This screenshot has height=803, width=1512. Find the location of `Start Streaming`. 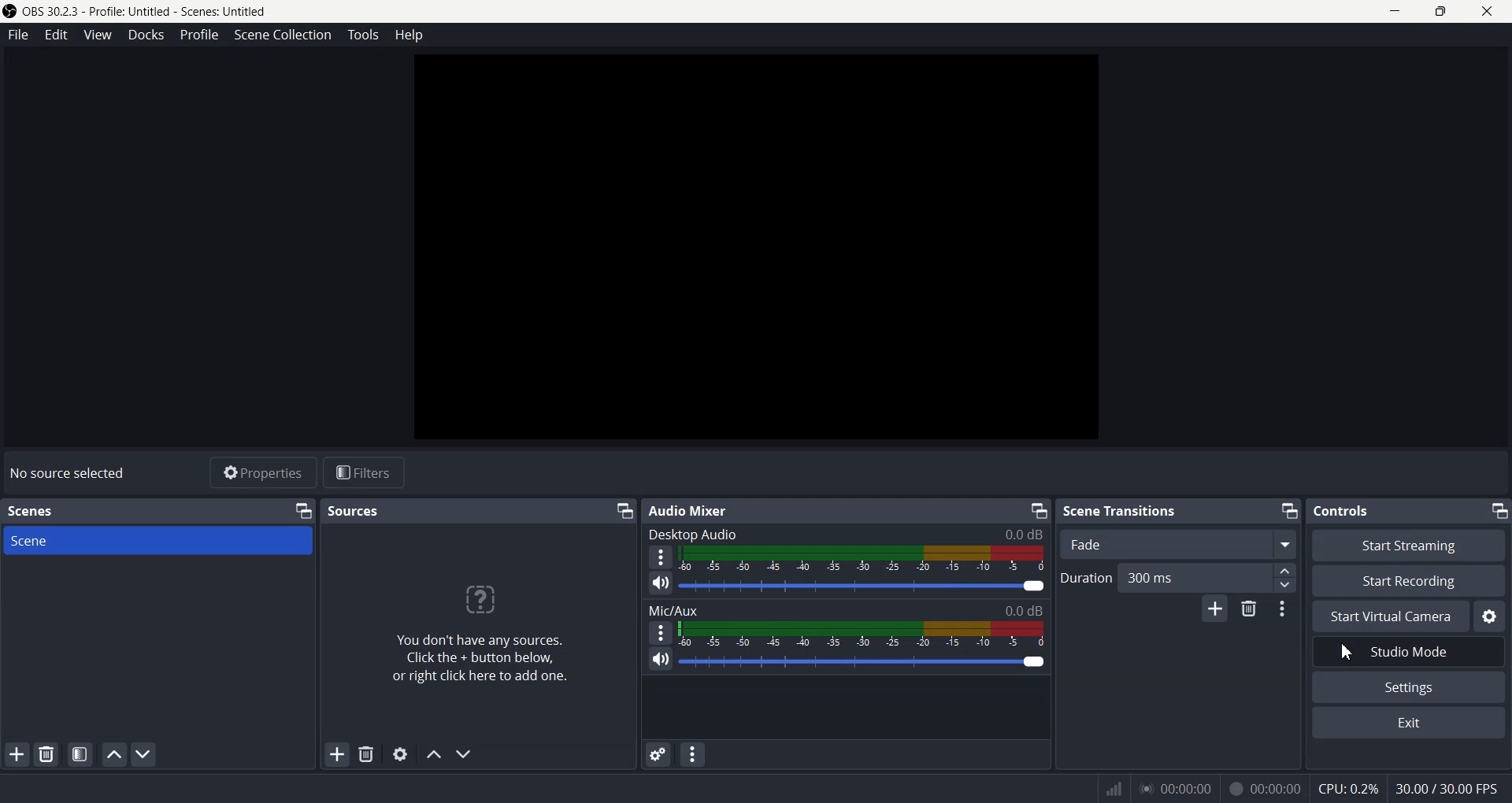

Start Streaming is located at coordinates (1408, 546).